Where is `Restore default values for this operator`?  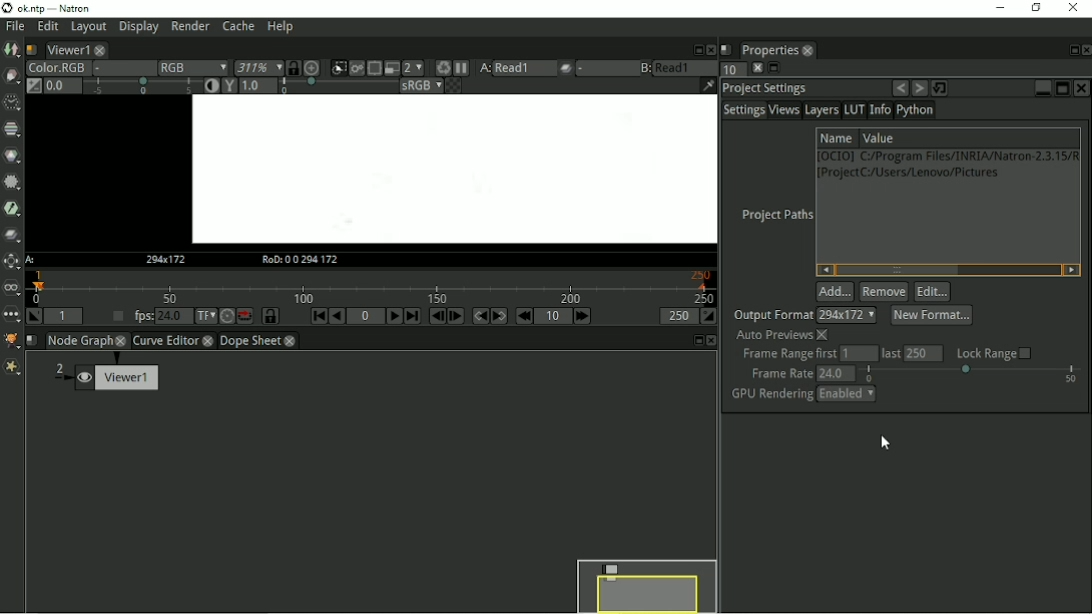
Restore default values for this operator is located at coordinates (941, 88).